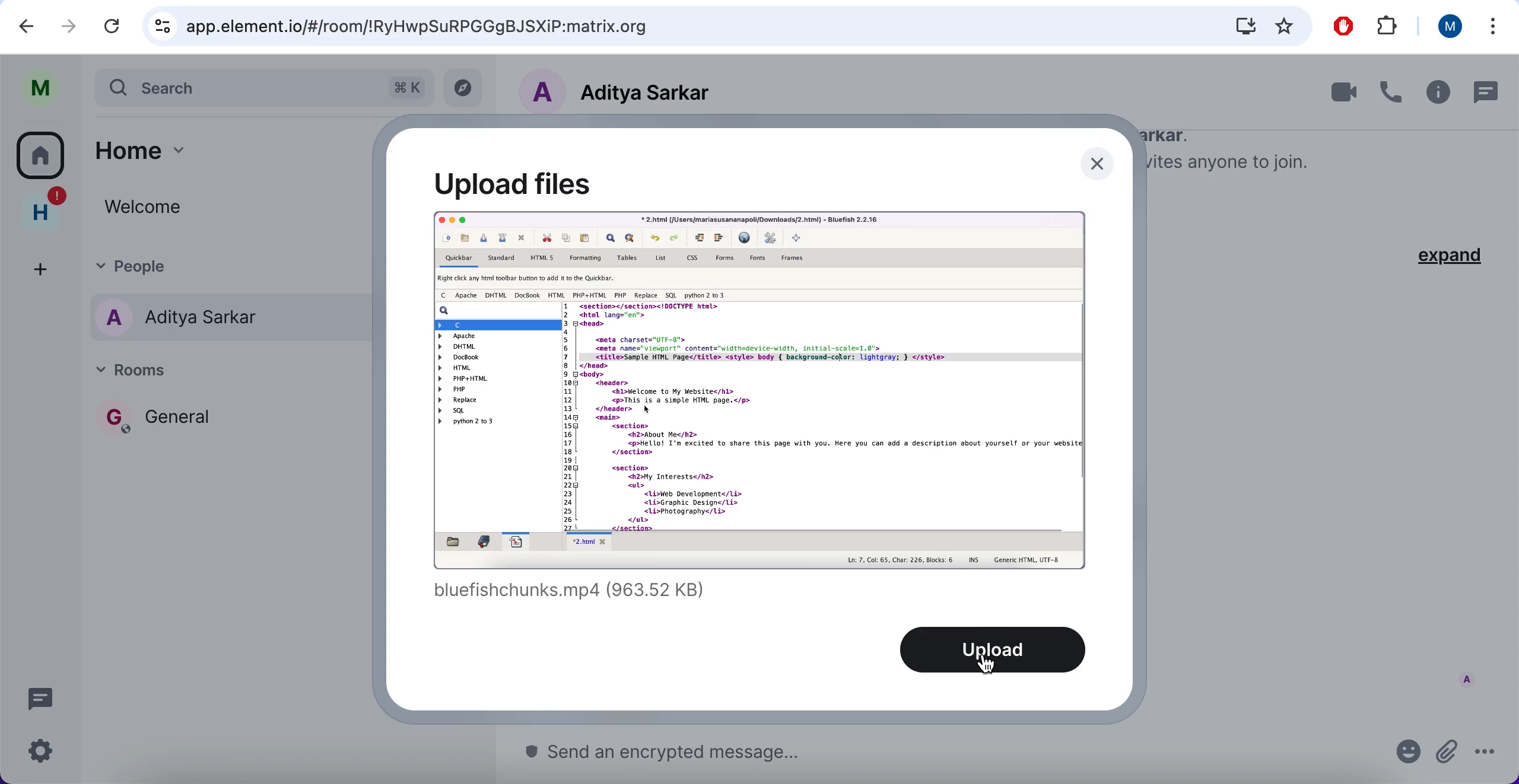 The image size is (1519, 784). Describe the element at coordinates (227, 266) in the screenshot. I see `people` at that location.